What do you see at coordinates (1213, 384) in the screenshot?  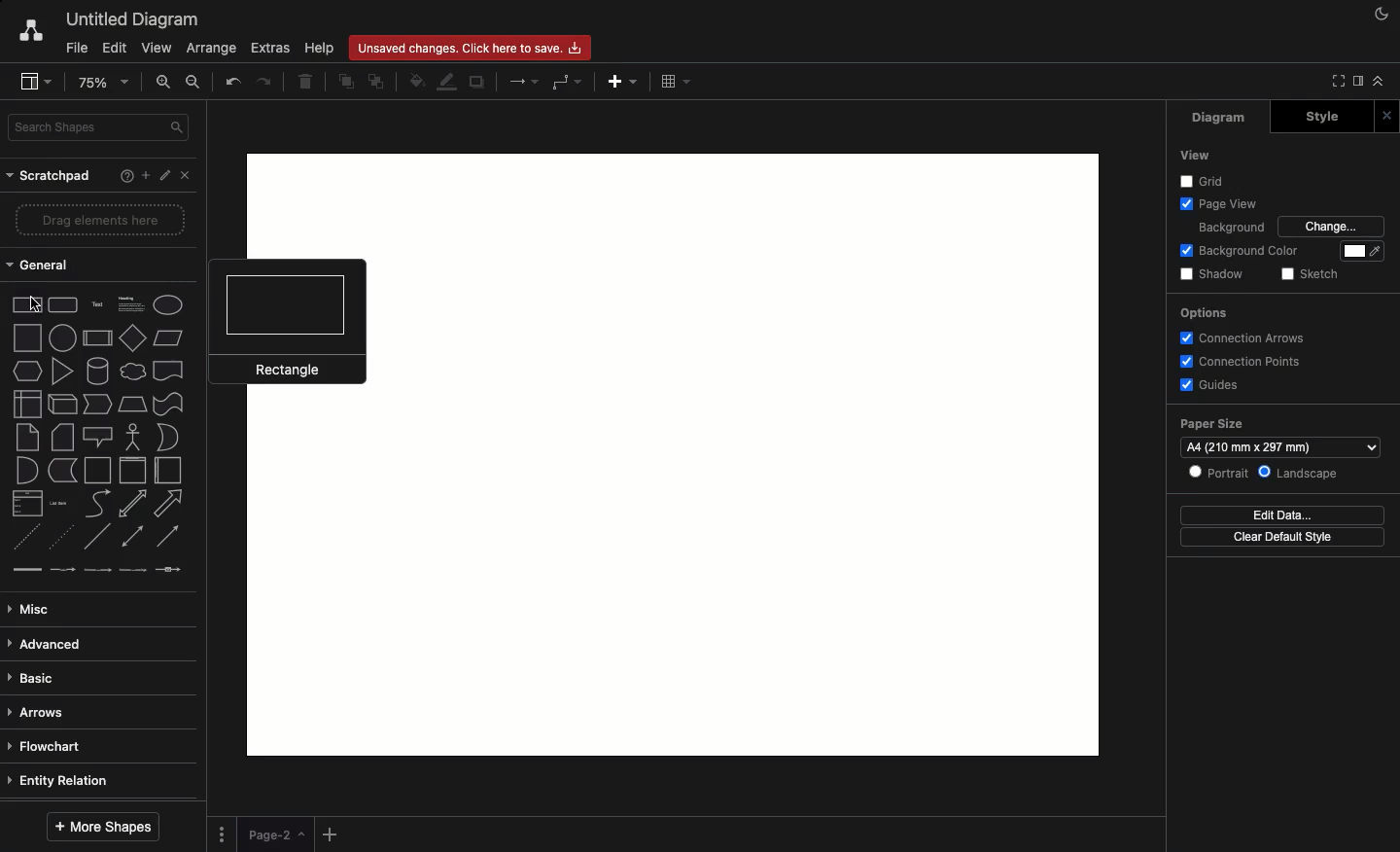 I see `Guides` at bounding box center [1213, 384].